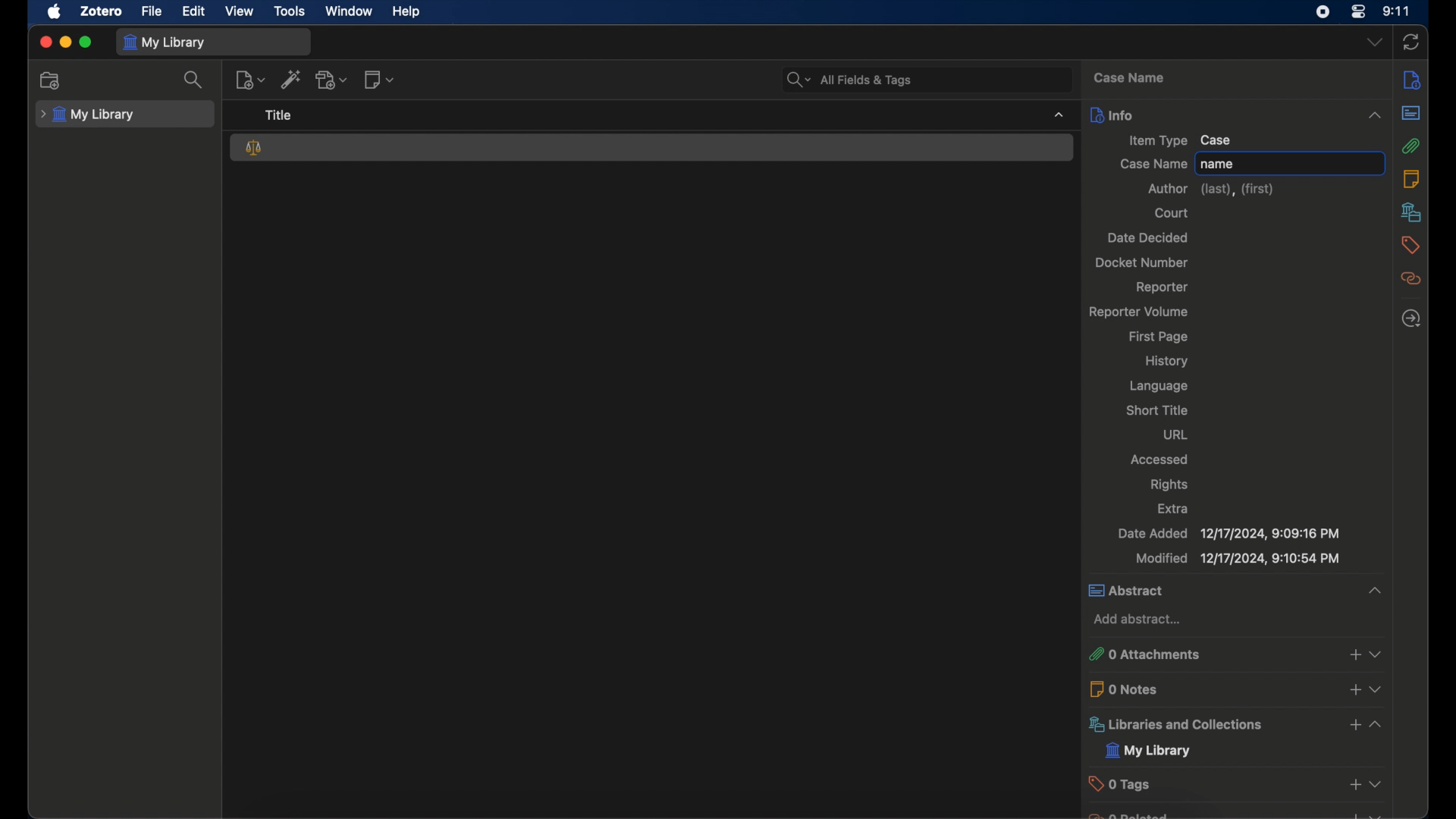 The image size is (1456, 819). What do you see at coordinates (1218, 164) in the screenshot?
I see `name` at bounding box center [1218, 164].